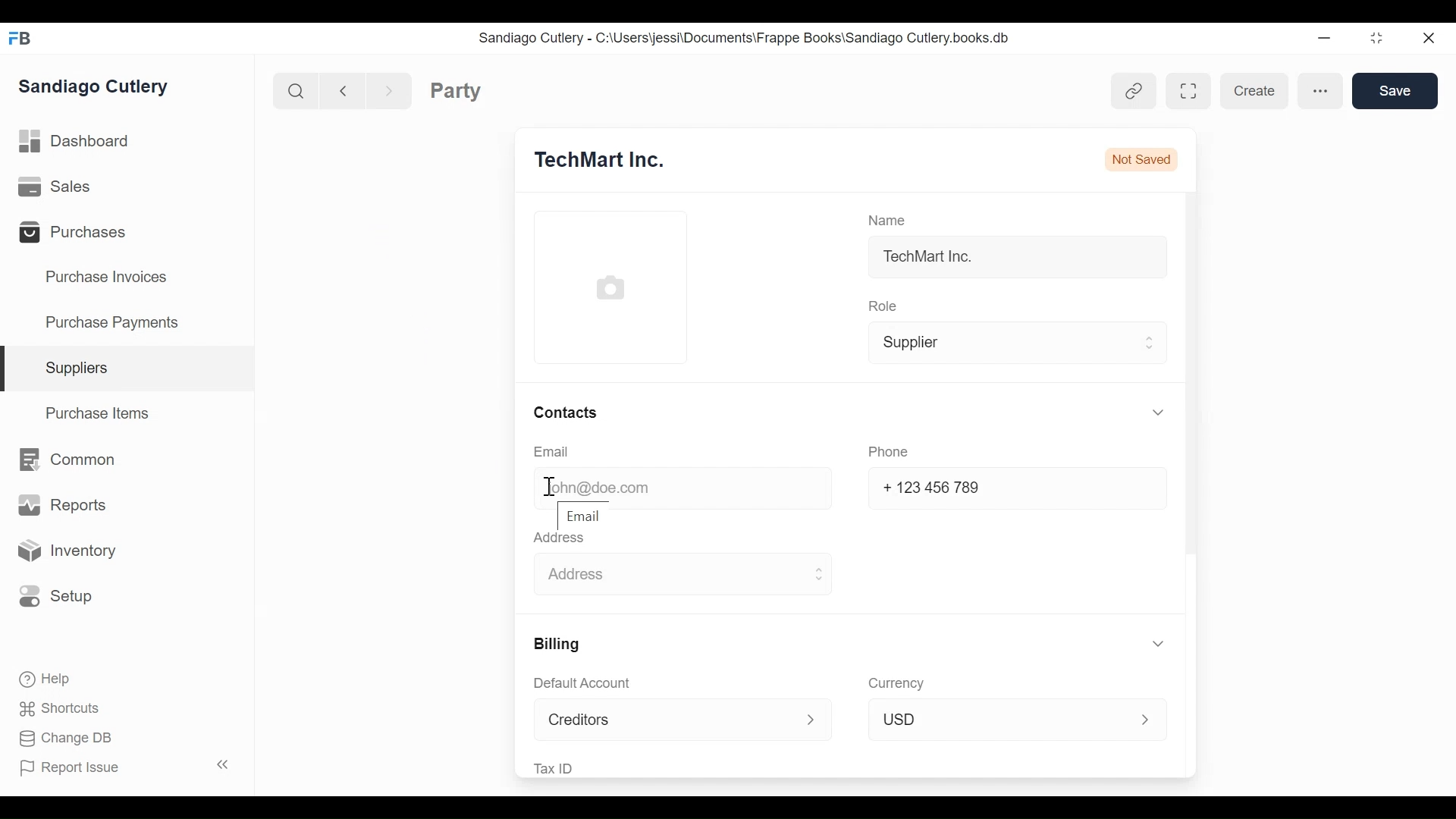 The image size is (1456, 819). I want to click on expand, so click(1147, 641).